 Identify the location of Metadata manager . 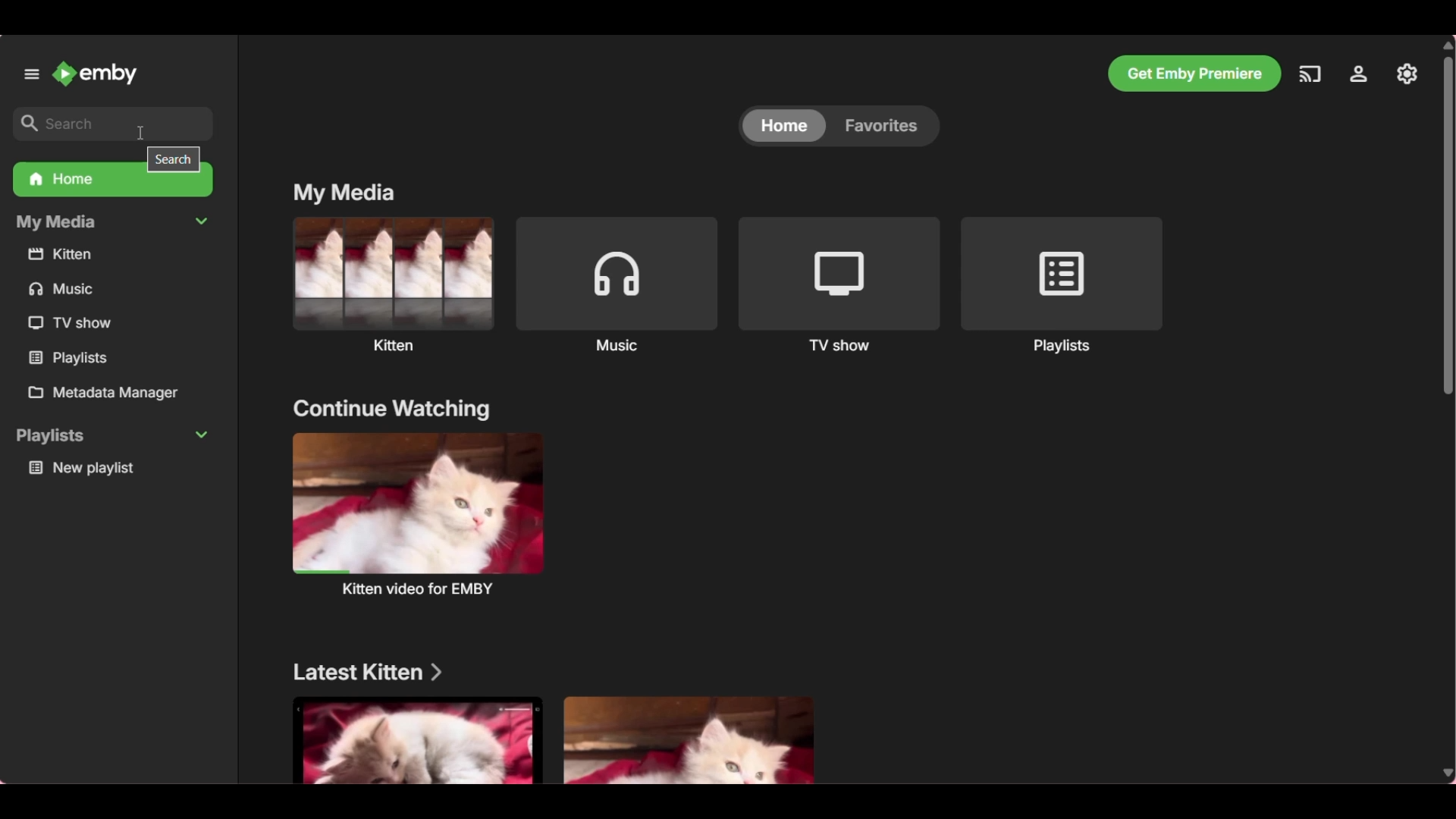
(117, 393).